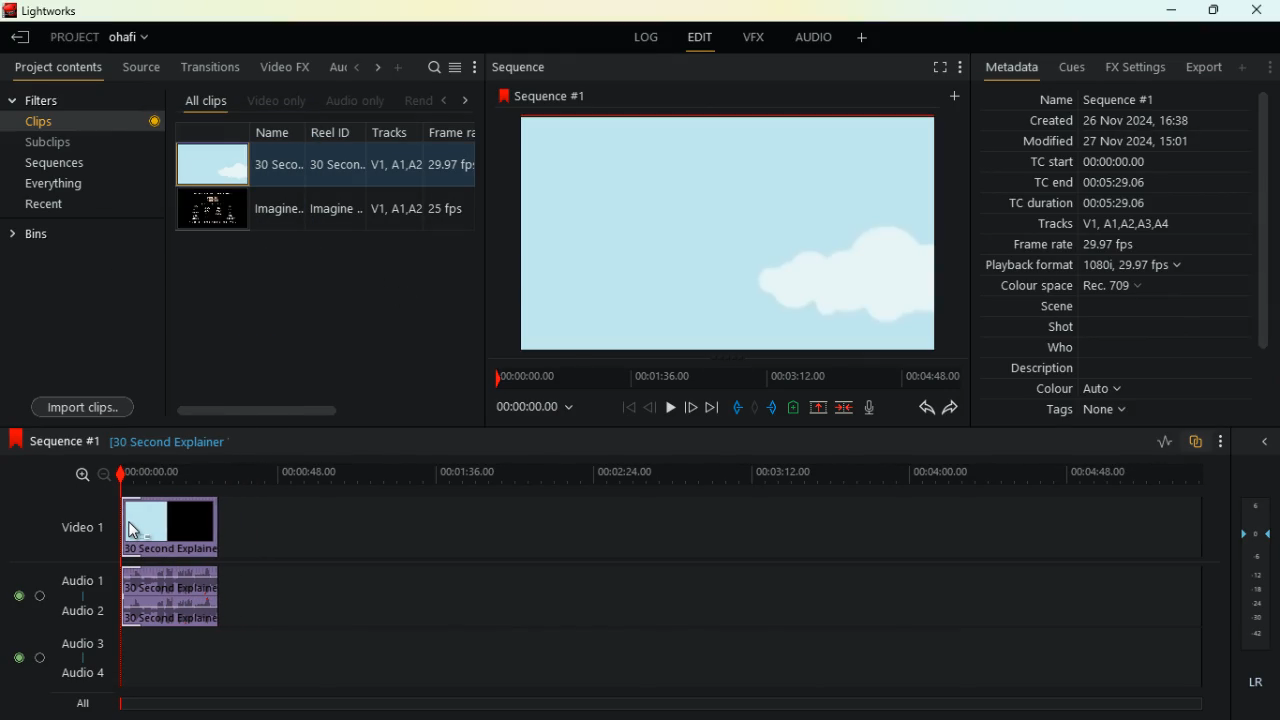 This screenshot has width=1280, height=720. Describe the element at coordinates (1222, 440) in the screenshot. I see `more` at that location.